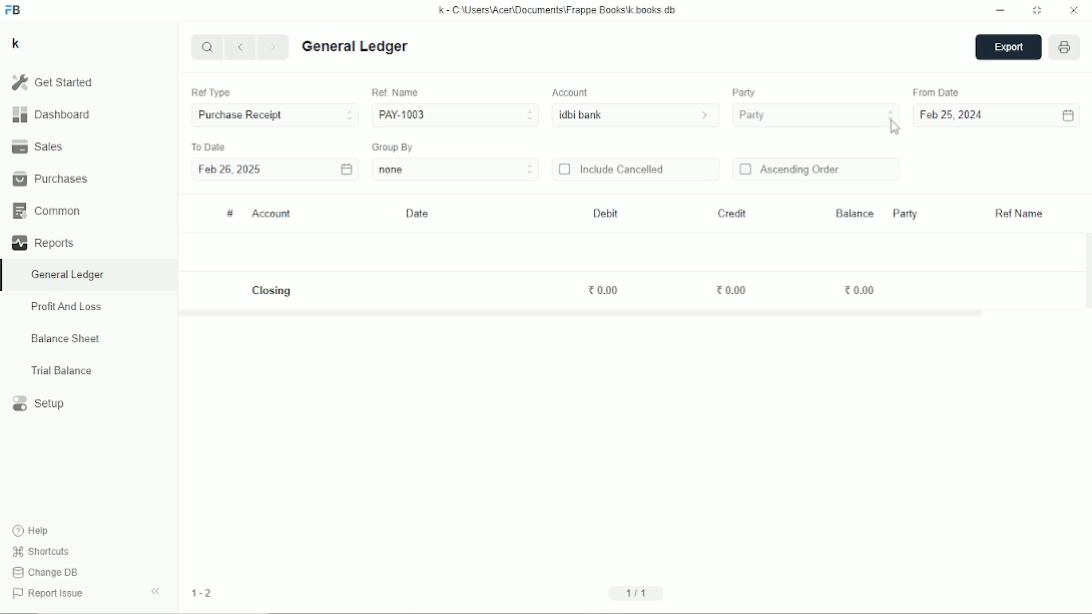  Describe the element at coordinates (395, 92) in the screenshot. I see `Ref. Name` at that location.